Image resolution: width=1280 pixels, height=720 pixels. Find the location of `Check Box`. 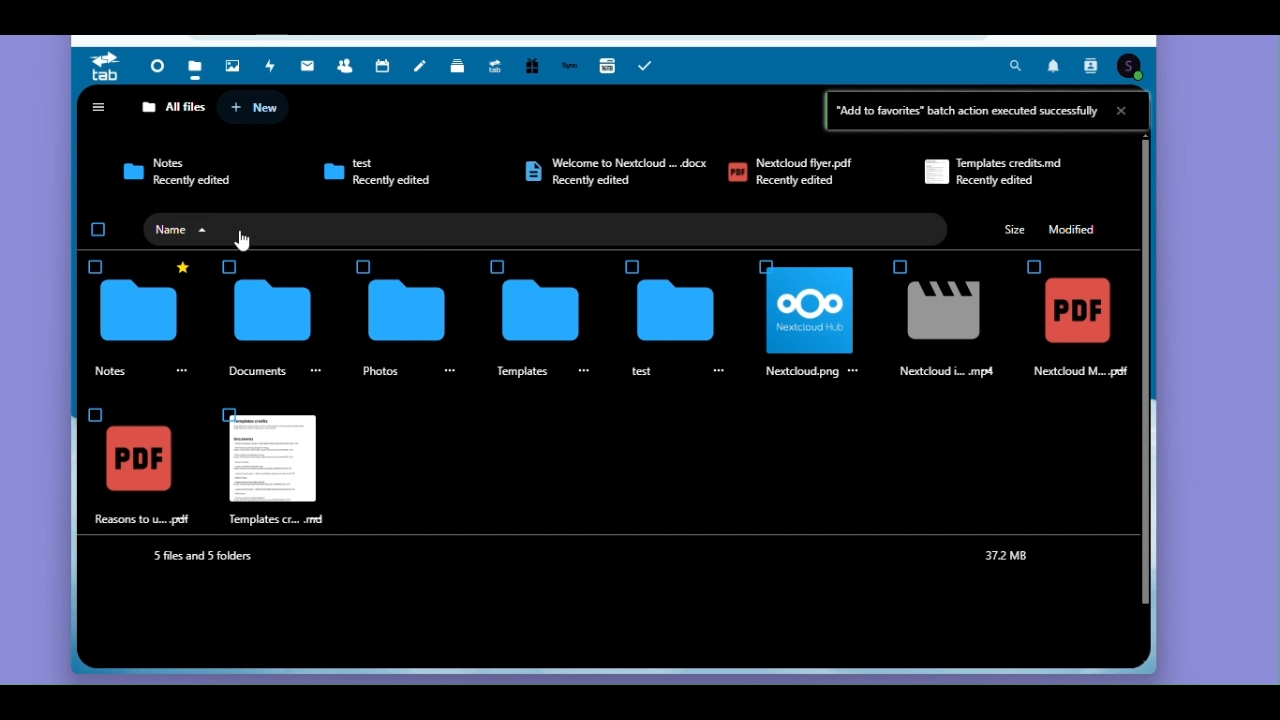

Check Box is located at coordinates (770, 263).